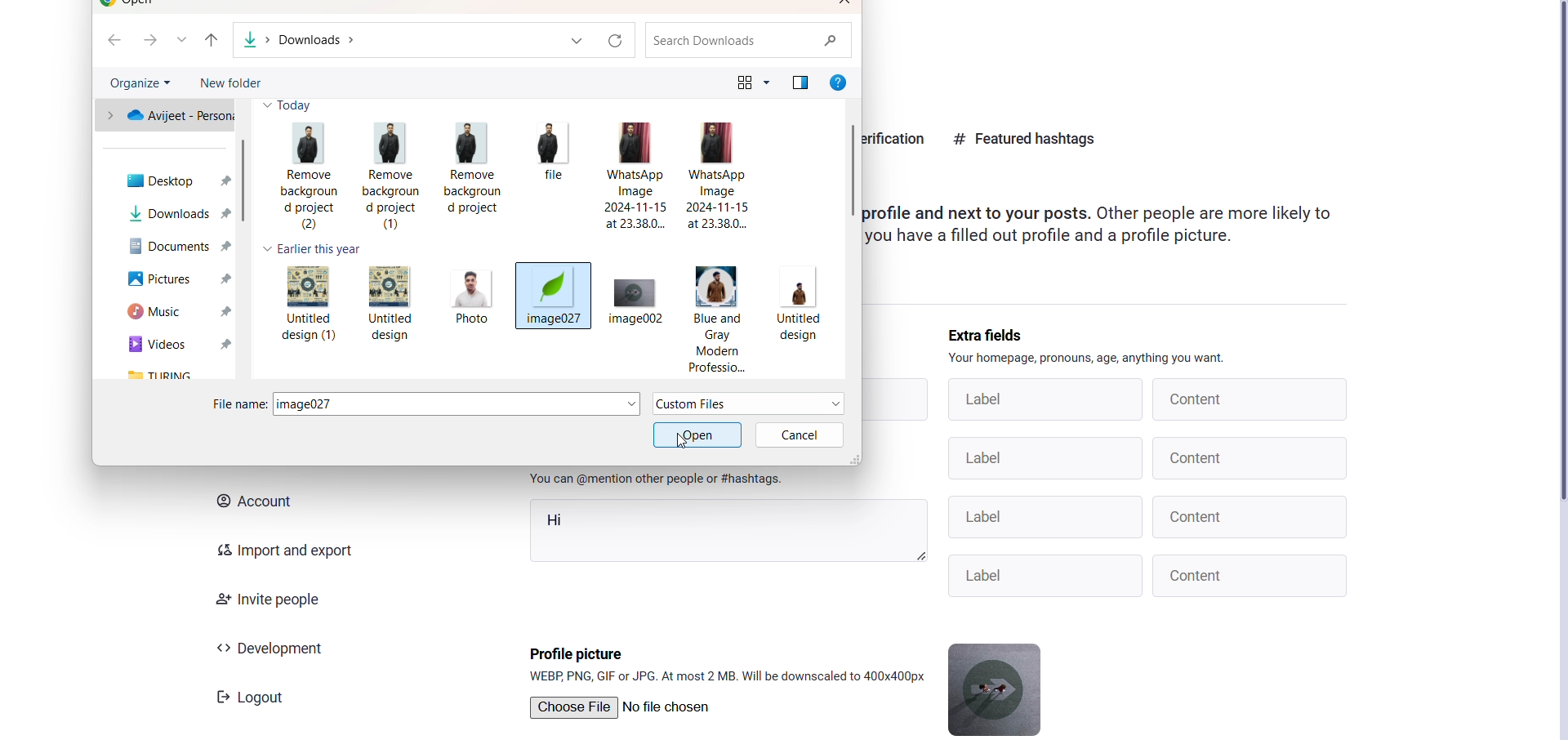  What do you see at coordinates (839, 82) in the screenshot?
I see `help` at bounding box center [839, 82].